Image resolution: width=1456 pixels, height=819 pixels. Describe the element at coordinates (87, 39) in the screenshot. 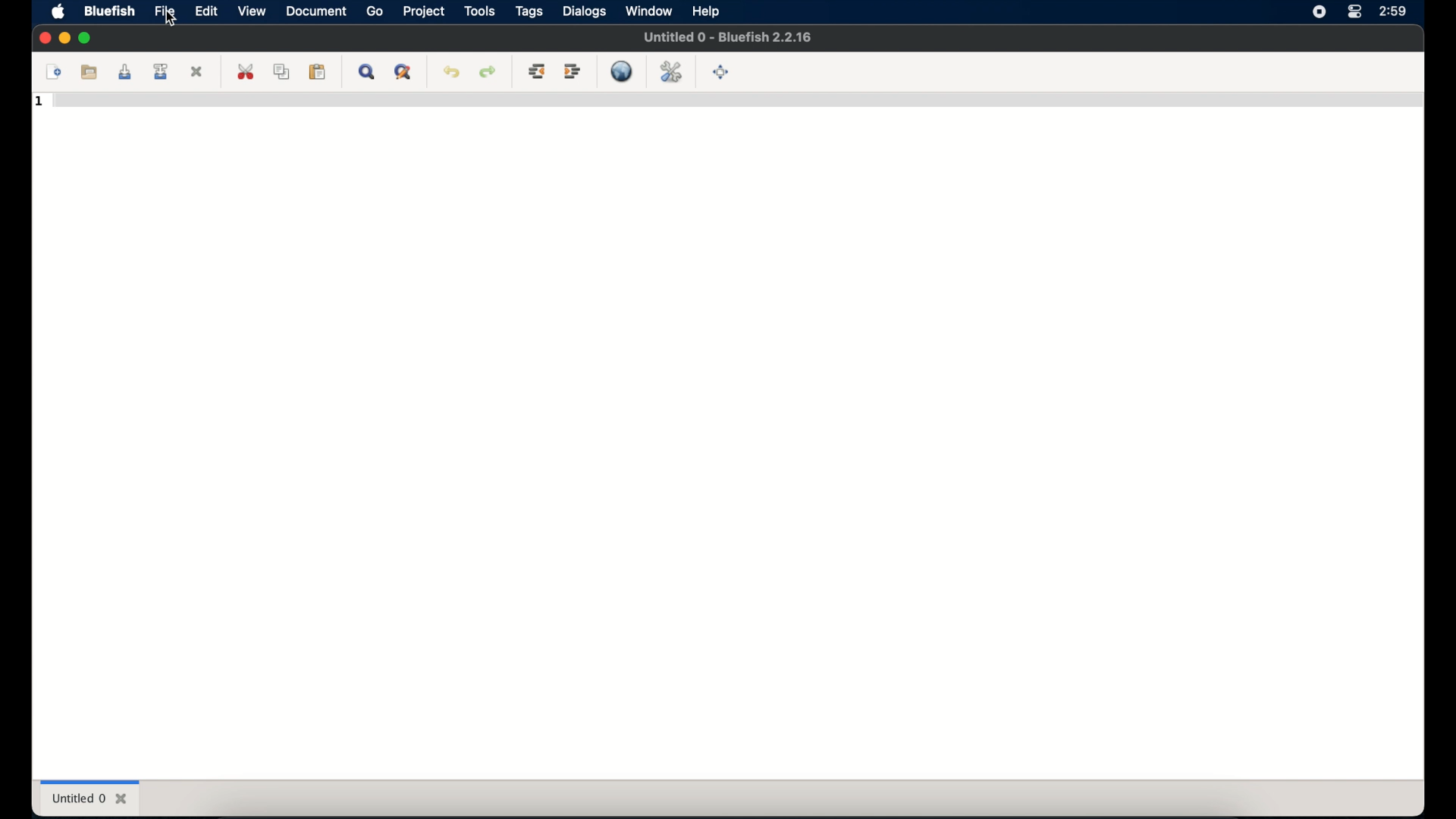

I see `maximize` at that location.